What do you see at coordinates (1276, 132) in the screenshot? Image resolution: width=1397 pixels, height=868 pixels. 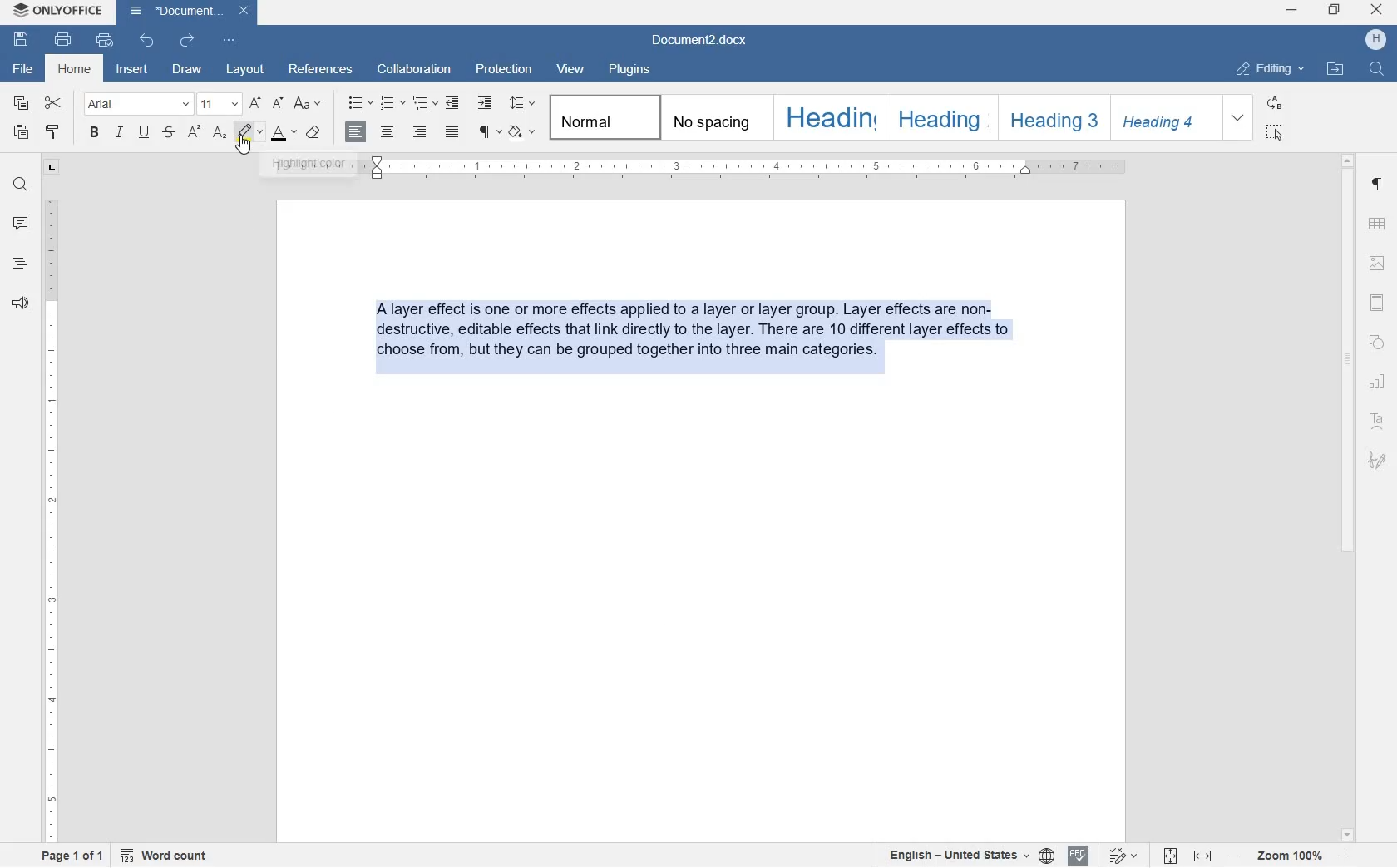 I see `select all` at bounding box center [1276, 132].